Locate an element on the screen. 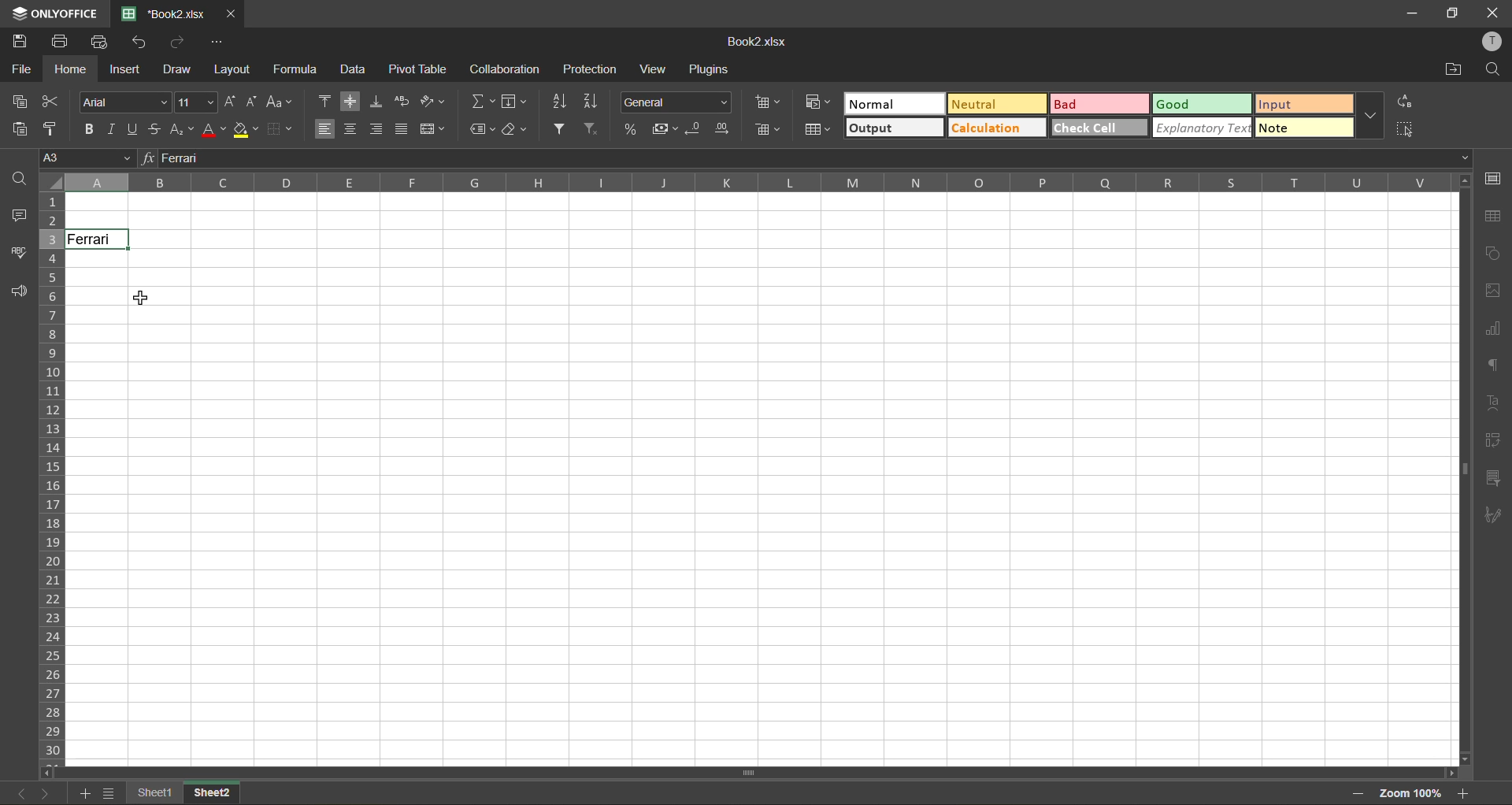  increase decimal is located at coordinates (723, 129).